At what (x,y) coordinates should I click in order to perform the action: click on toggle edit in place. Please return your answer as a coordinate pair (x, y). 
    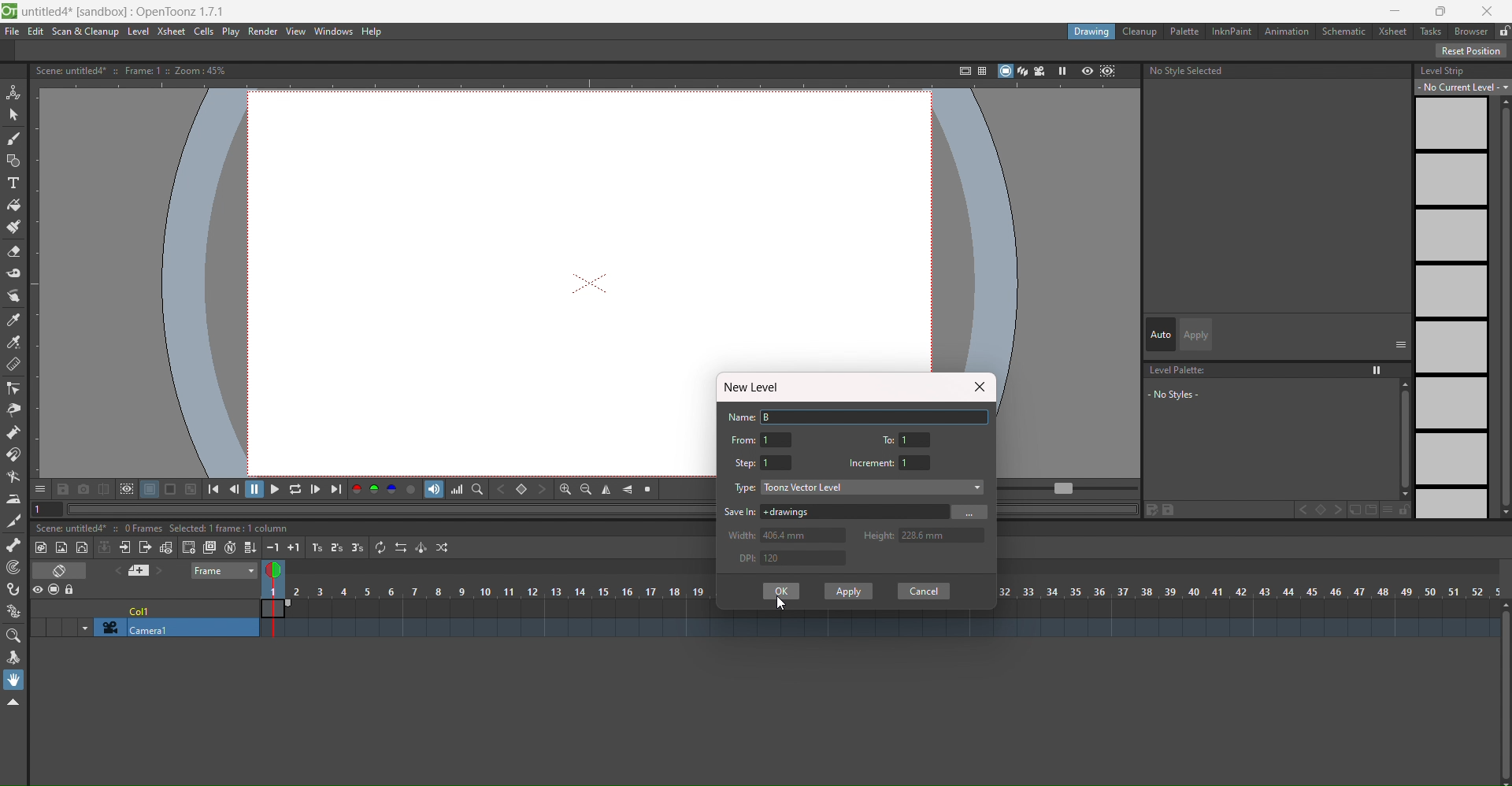
    Looking at the image, I should click on (165, 547).